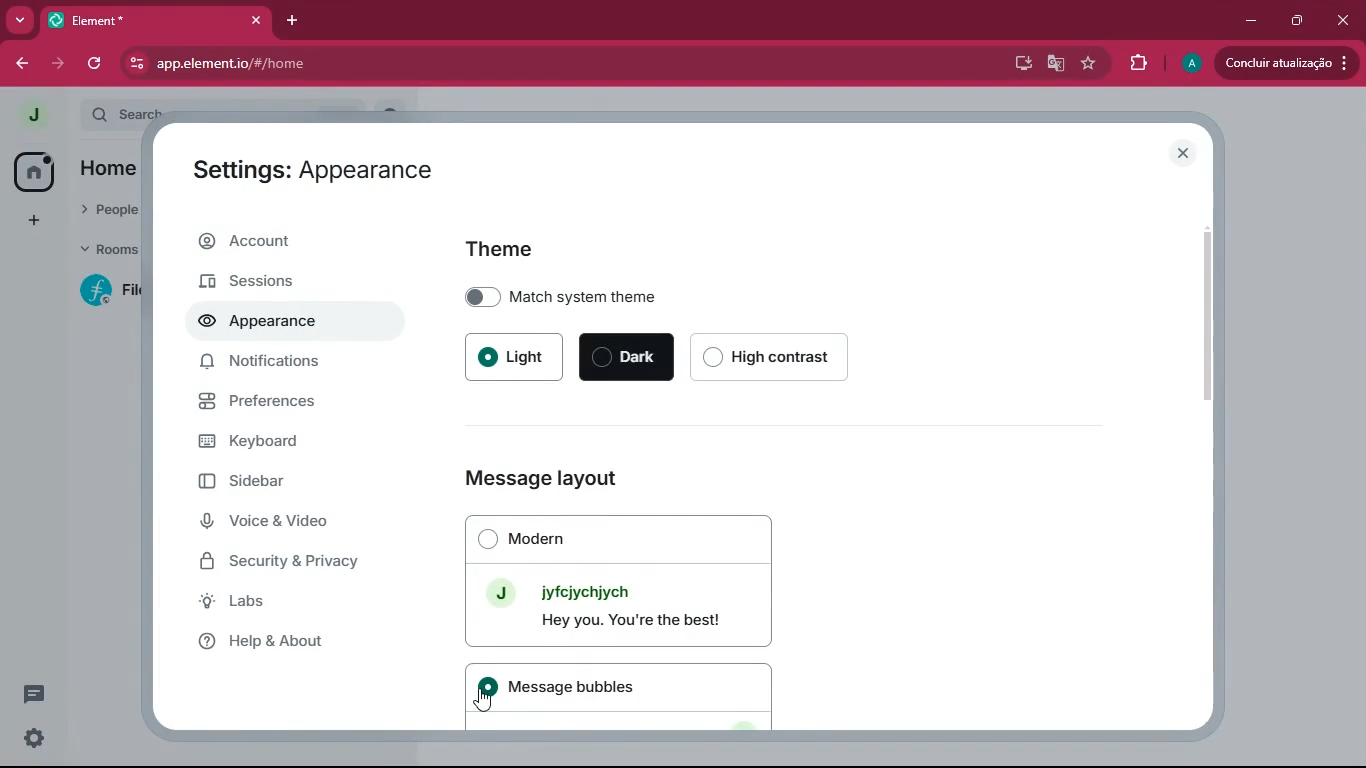 This screenshot has width=1366, height=768. What do you see at coordinates (514, 353) in the screenshot?
I see `light` at bounding box center [514, 353].